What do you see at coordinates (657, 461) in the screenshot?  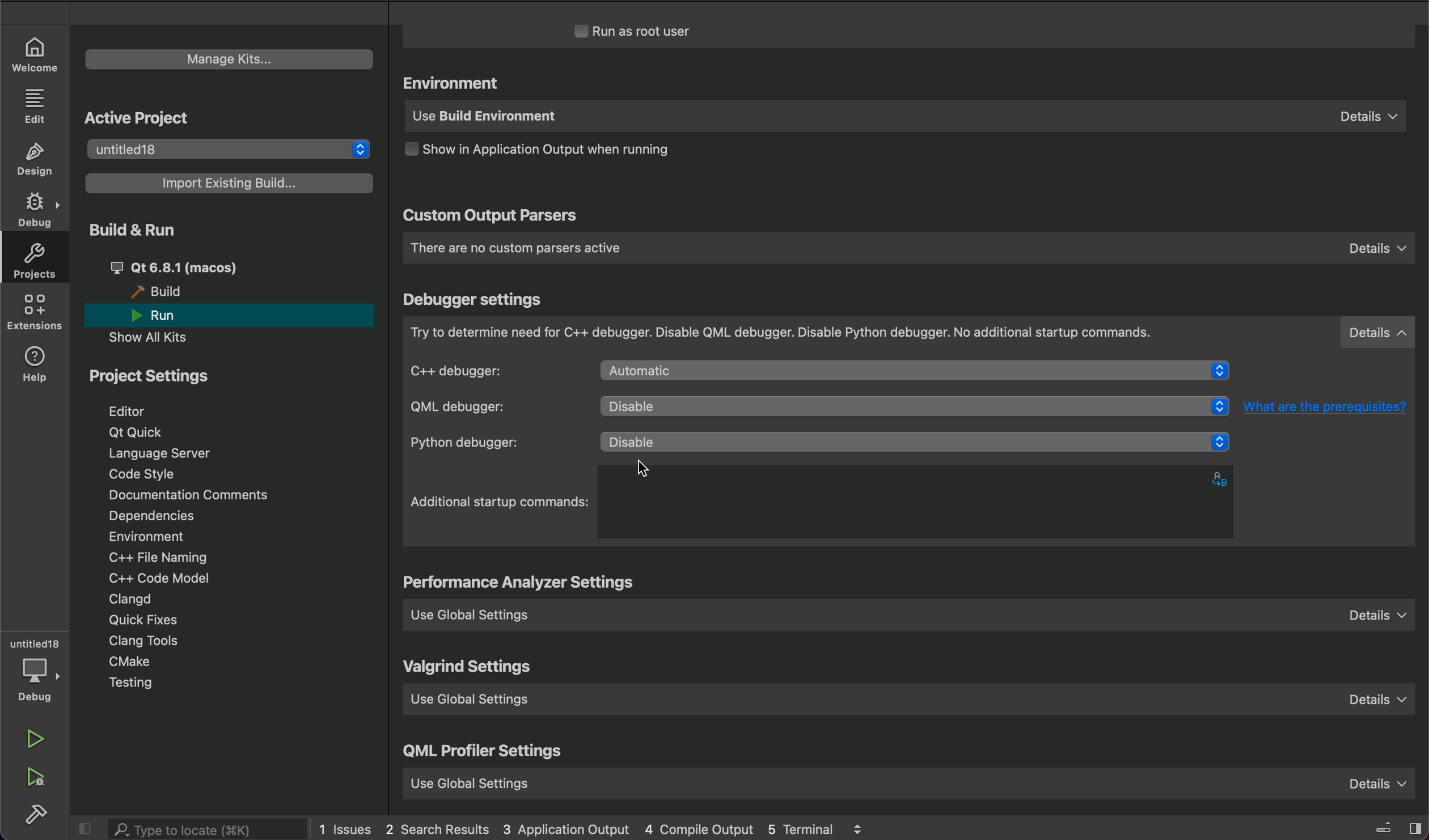 I see `cursor` at bounding box center [657, 461].